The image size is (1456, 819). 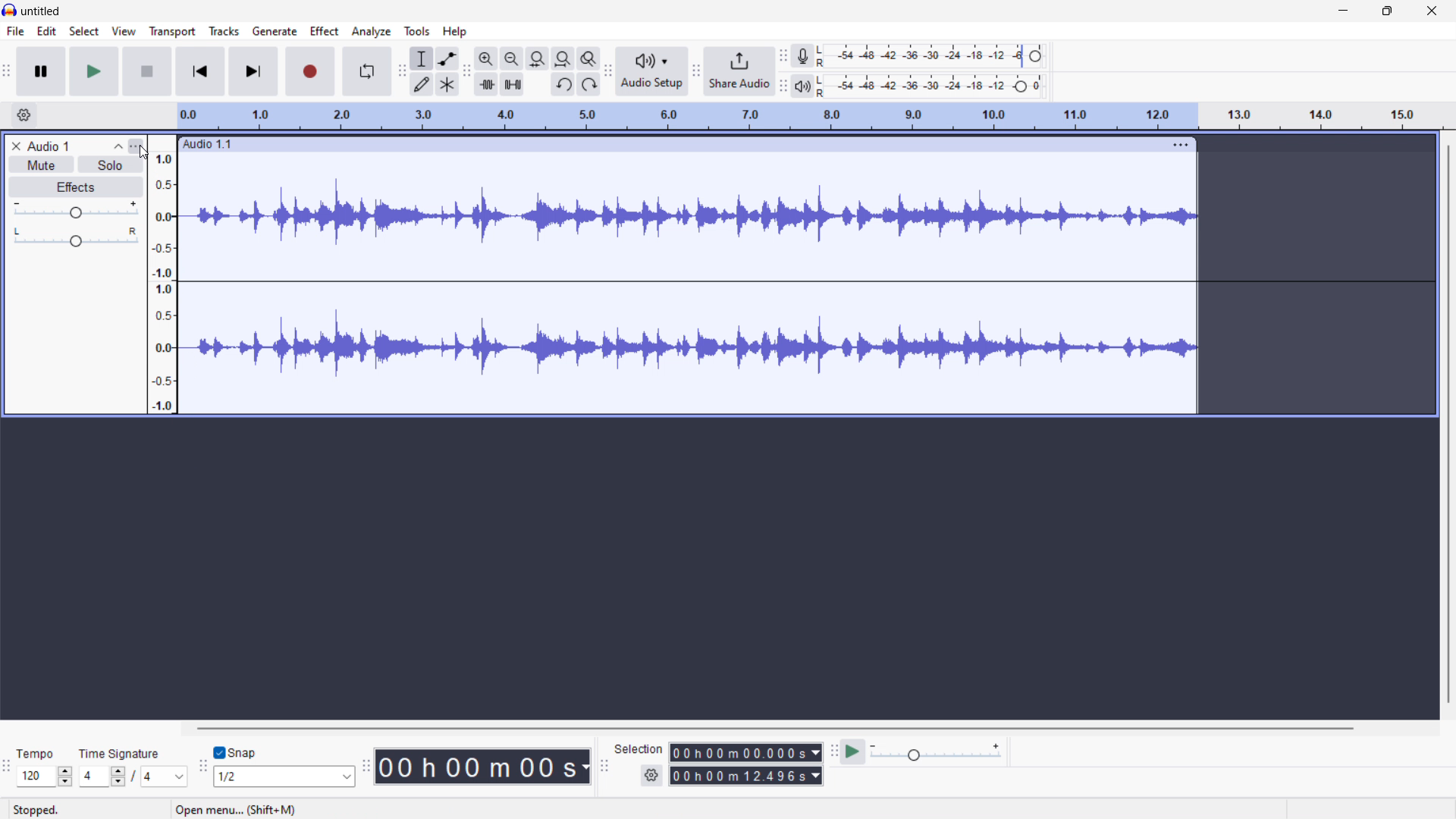 What do you see at coordinates (1173, 145) in the screenshot?
I see `track options` at bounding box center [1173, 145].